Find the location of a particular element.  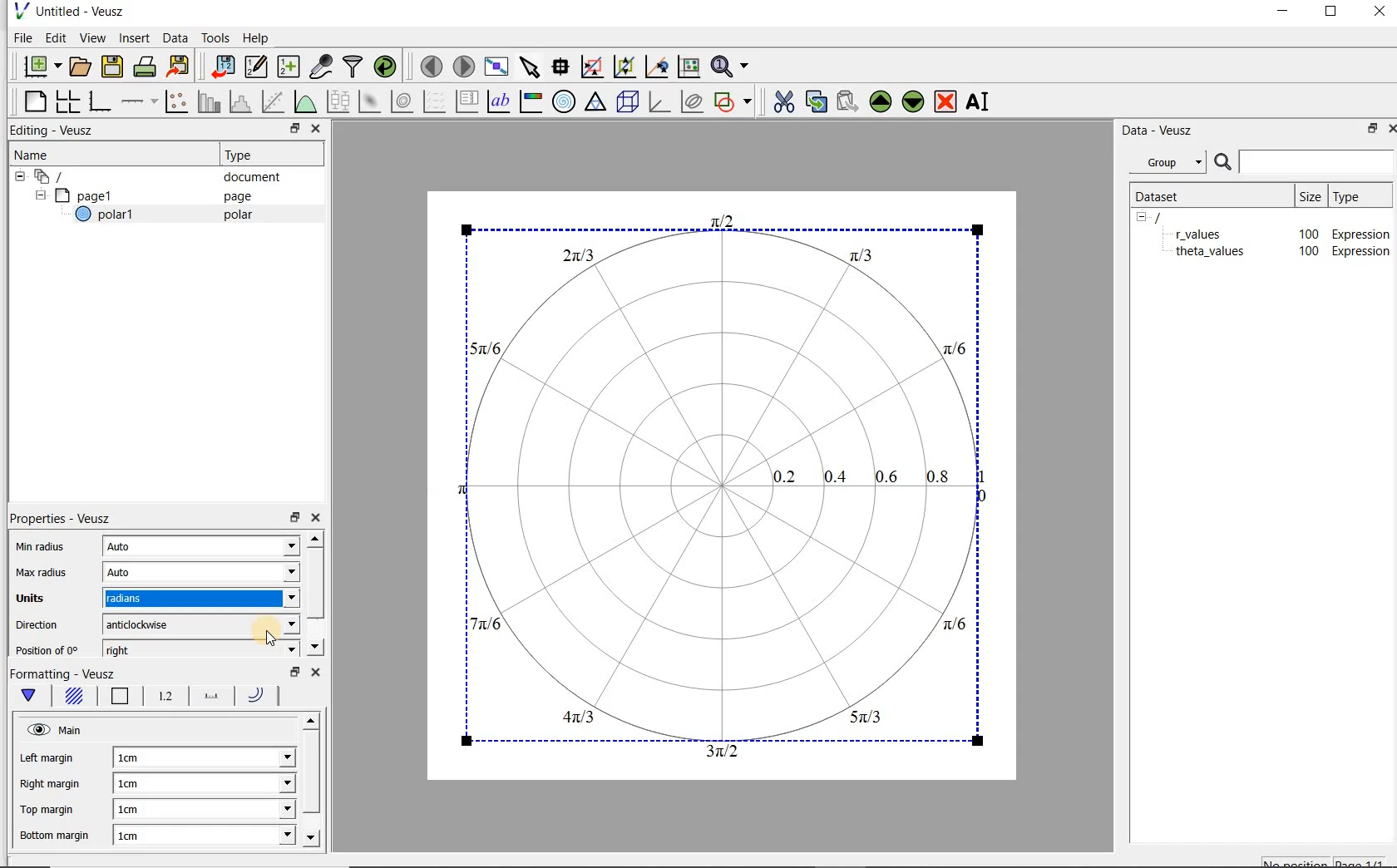

create new datasets using ranges, parametrically or as functions of existing datasets is located at coordinates (289, 67).